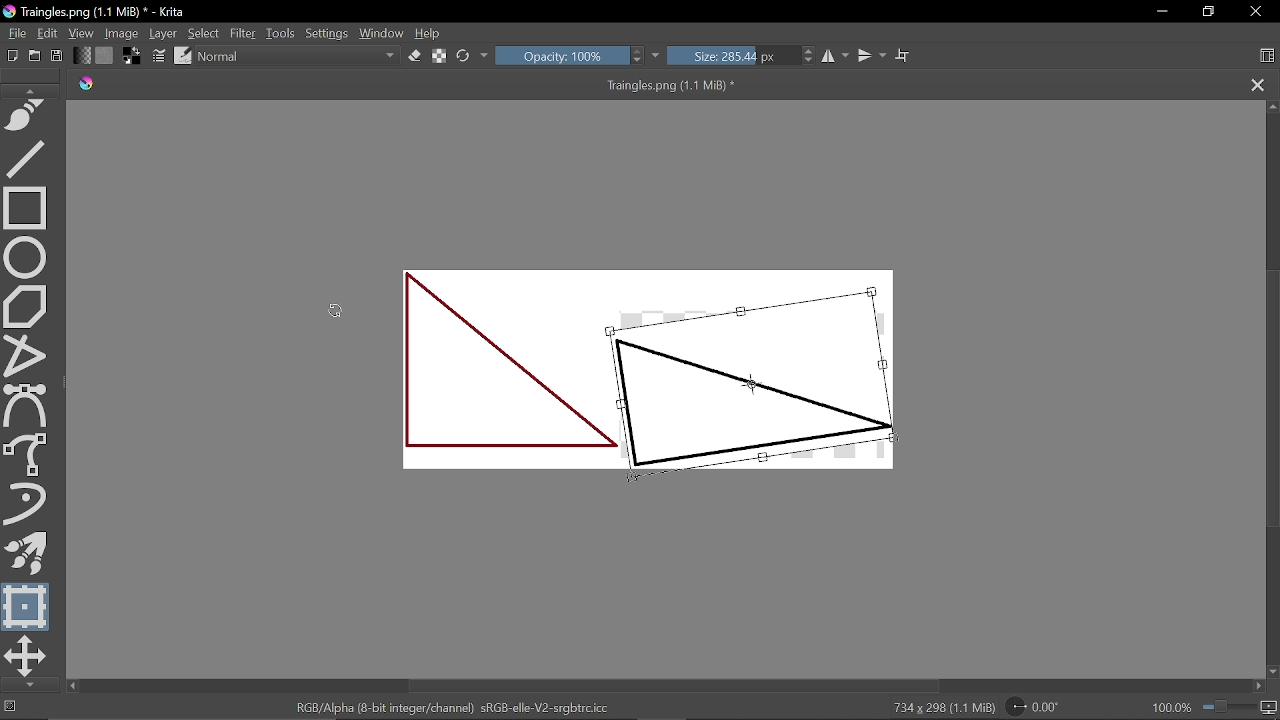  I want to click on Move a layer, so click(26, 656).